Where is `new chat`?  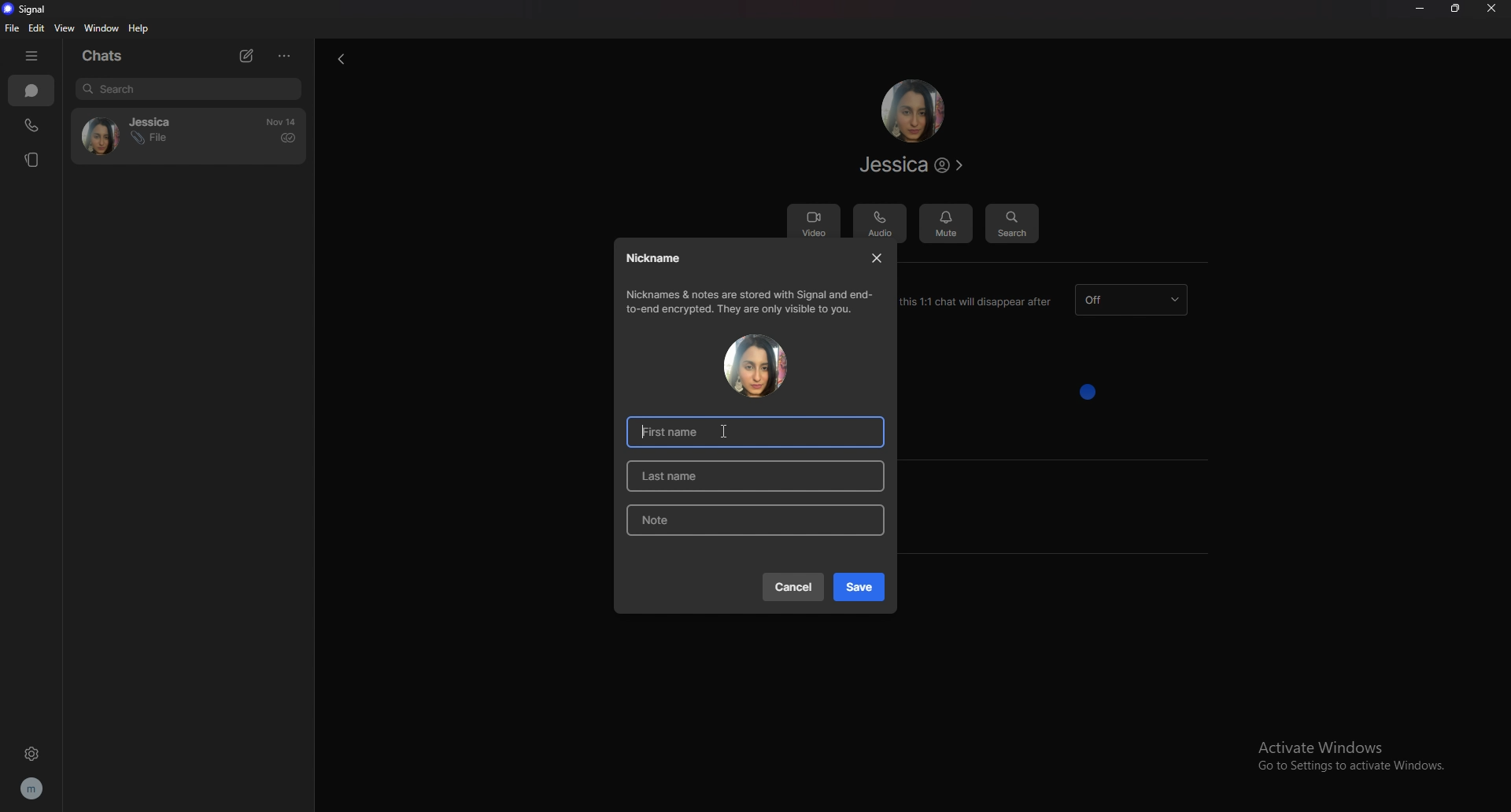 new chat is located at coordinates (245, 55).